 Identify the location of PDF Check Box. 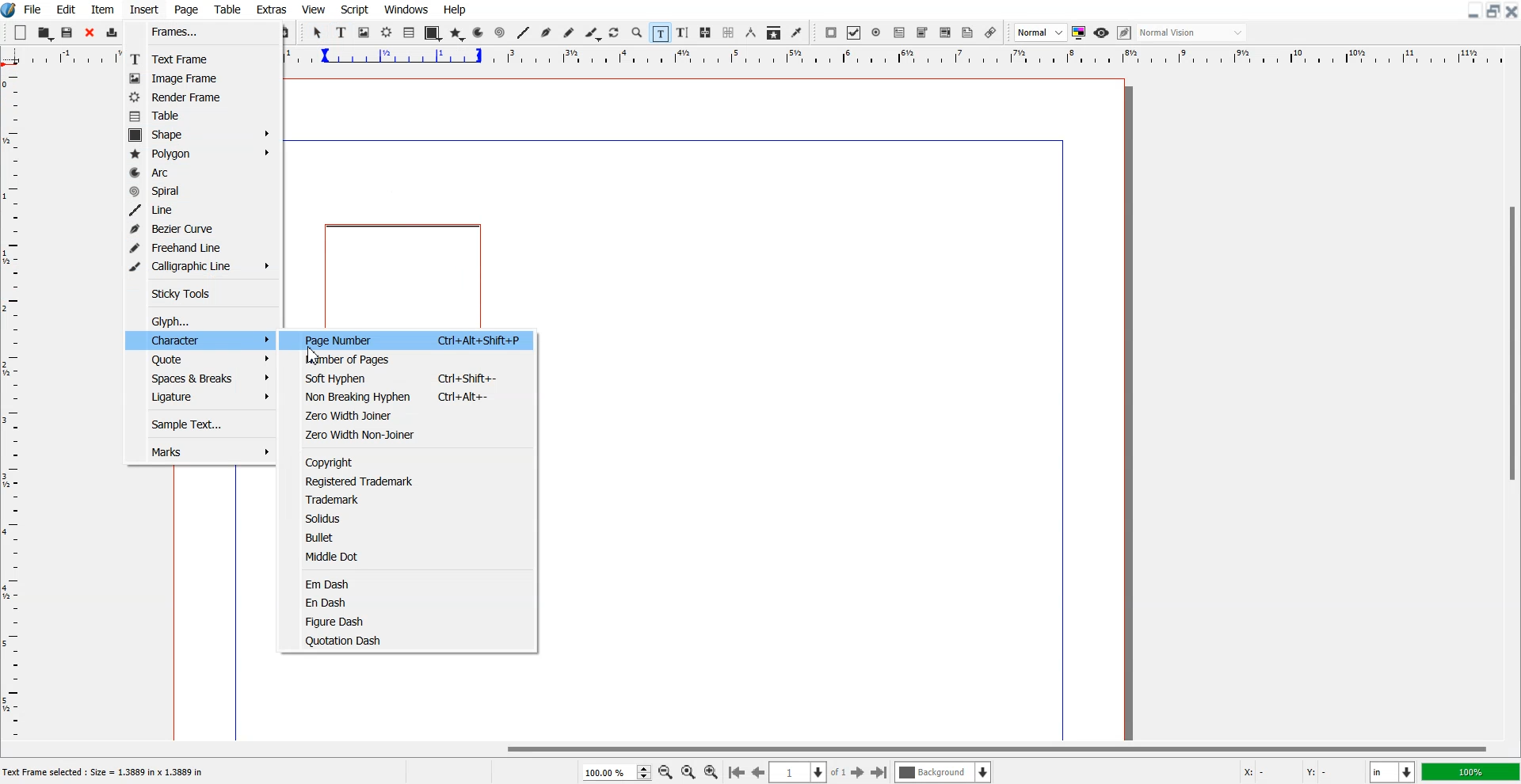
(854, 33).